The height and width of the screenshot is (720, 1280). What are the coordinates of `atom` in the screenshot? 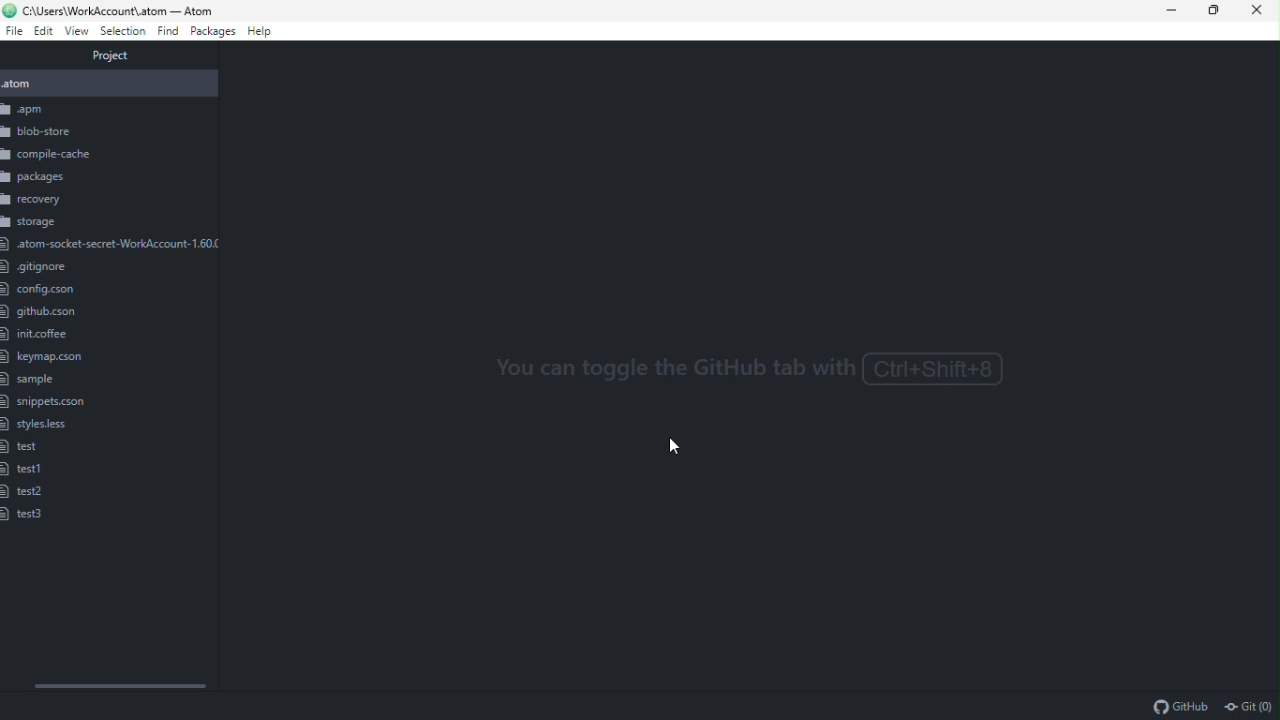 It's located at (106, 84).